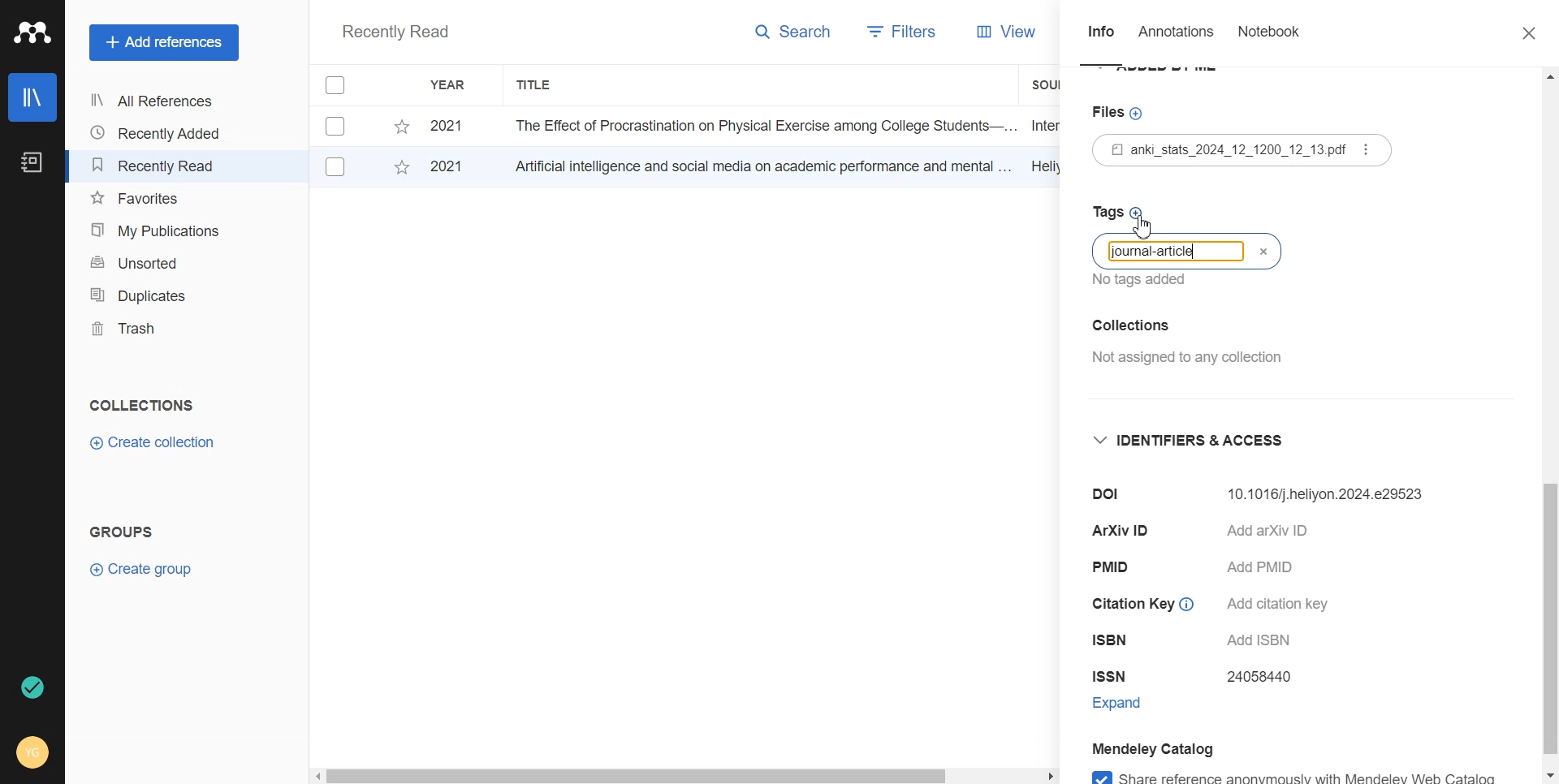  I want to click on ISSN 24058440 , so click(1198, 678).